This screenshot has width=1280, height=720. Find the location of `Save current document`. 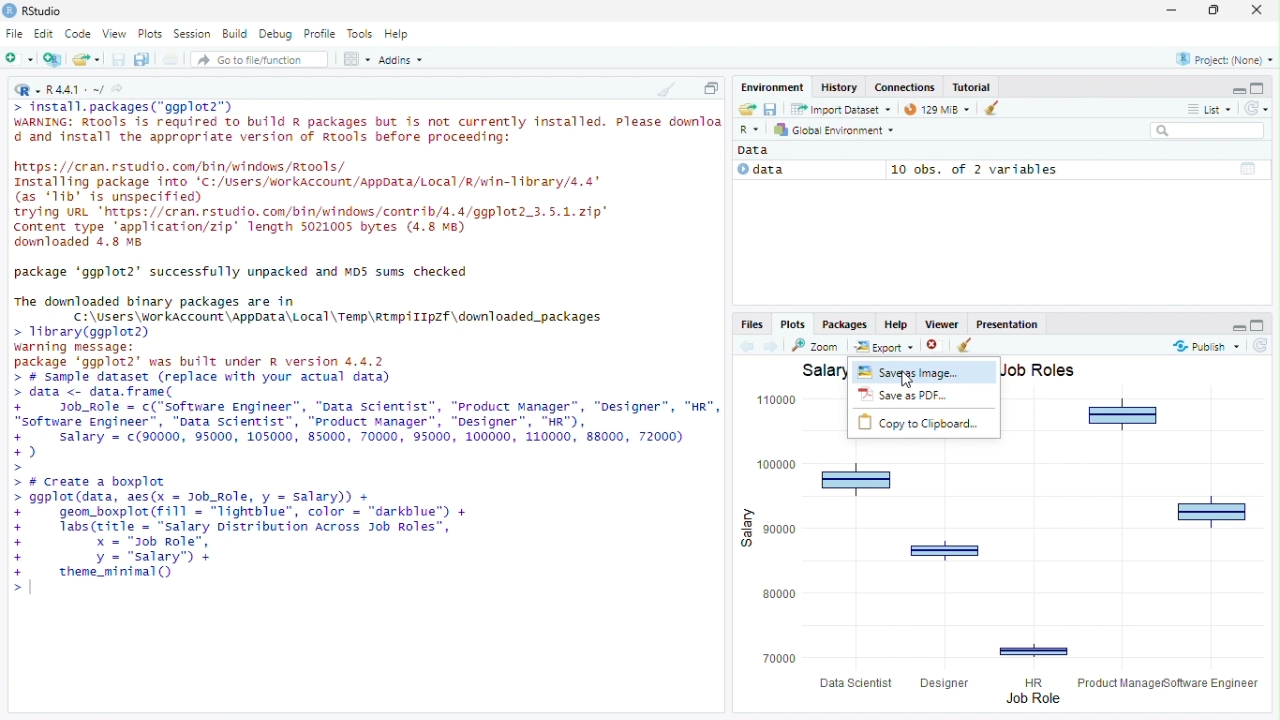

Save current document is located at coordinates (118, 59).